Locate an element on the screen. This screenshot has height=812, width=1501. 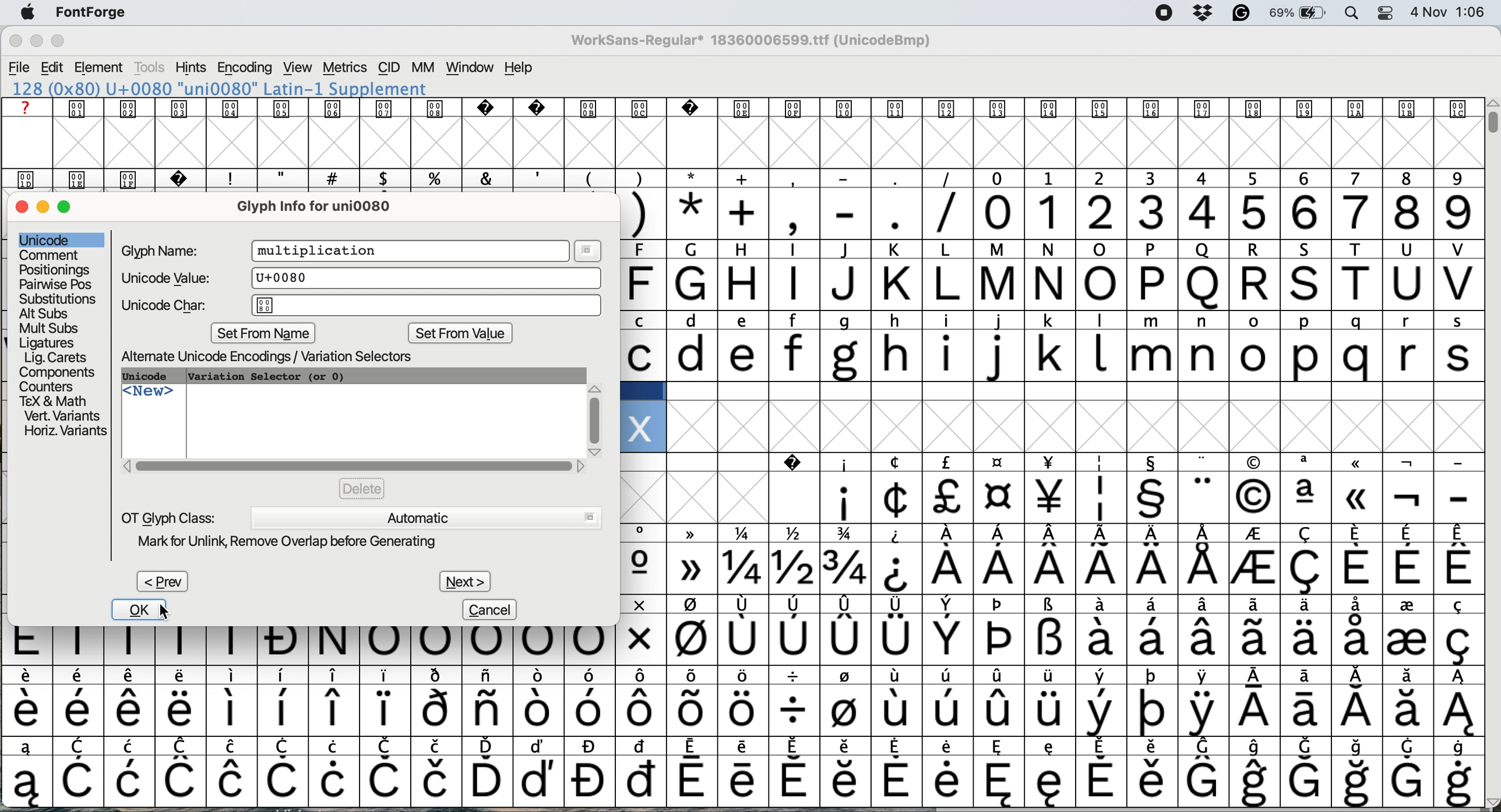
minimise is located at coordinates (35, 43).